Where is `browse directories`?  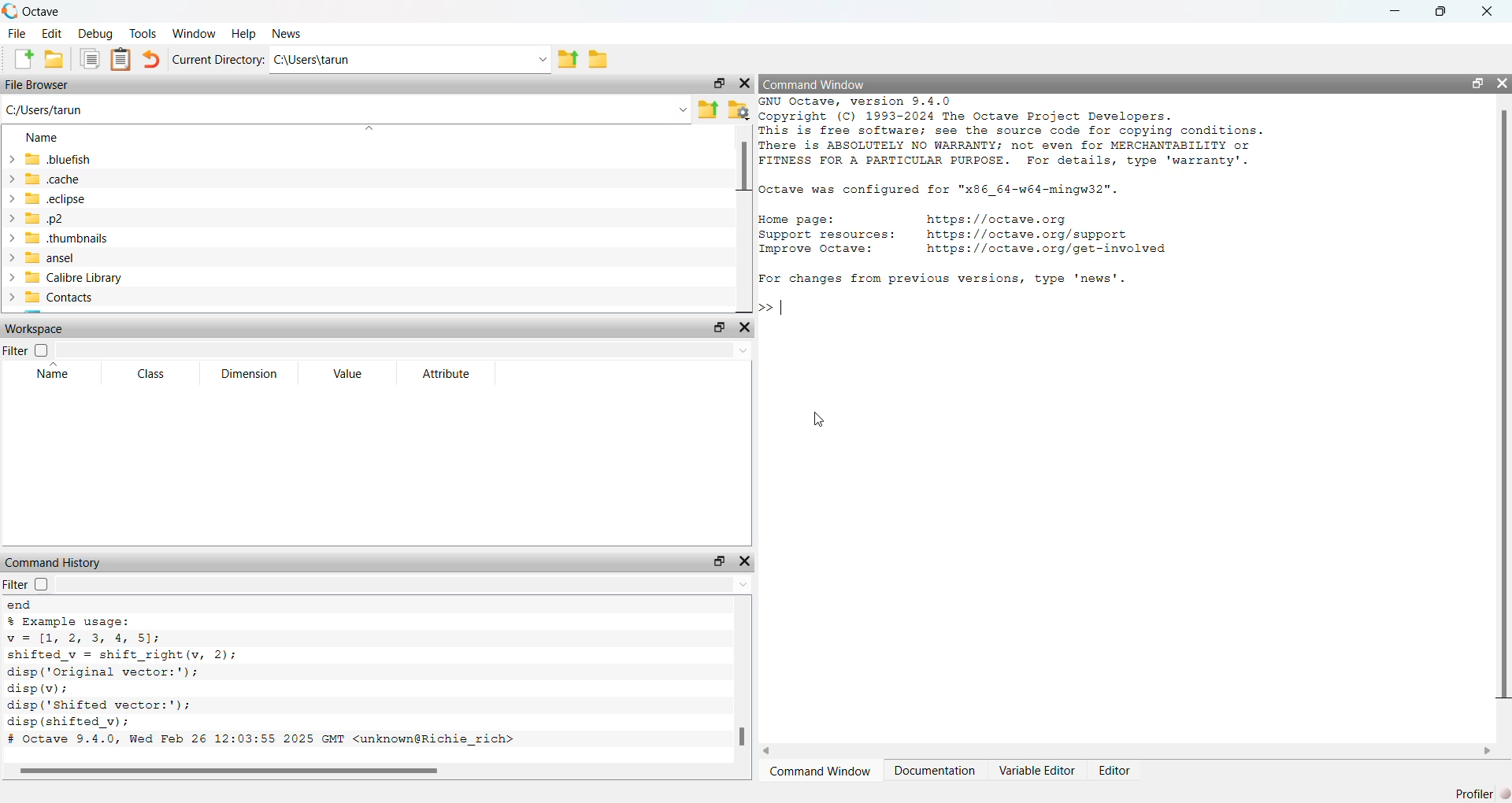
browse directories is located at coordinates (600, 60).